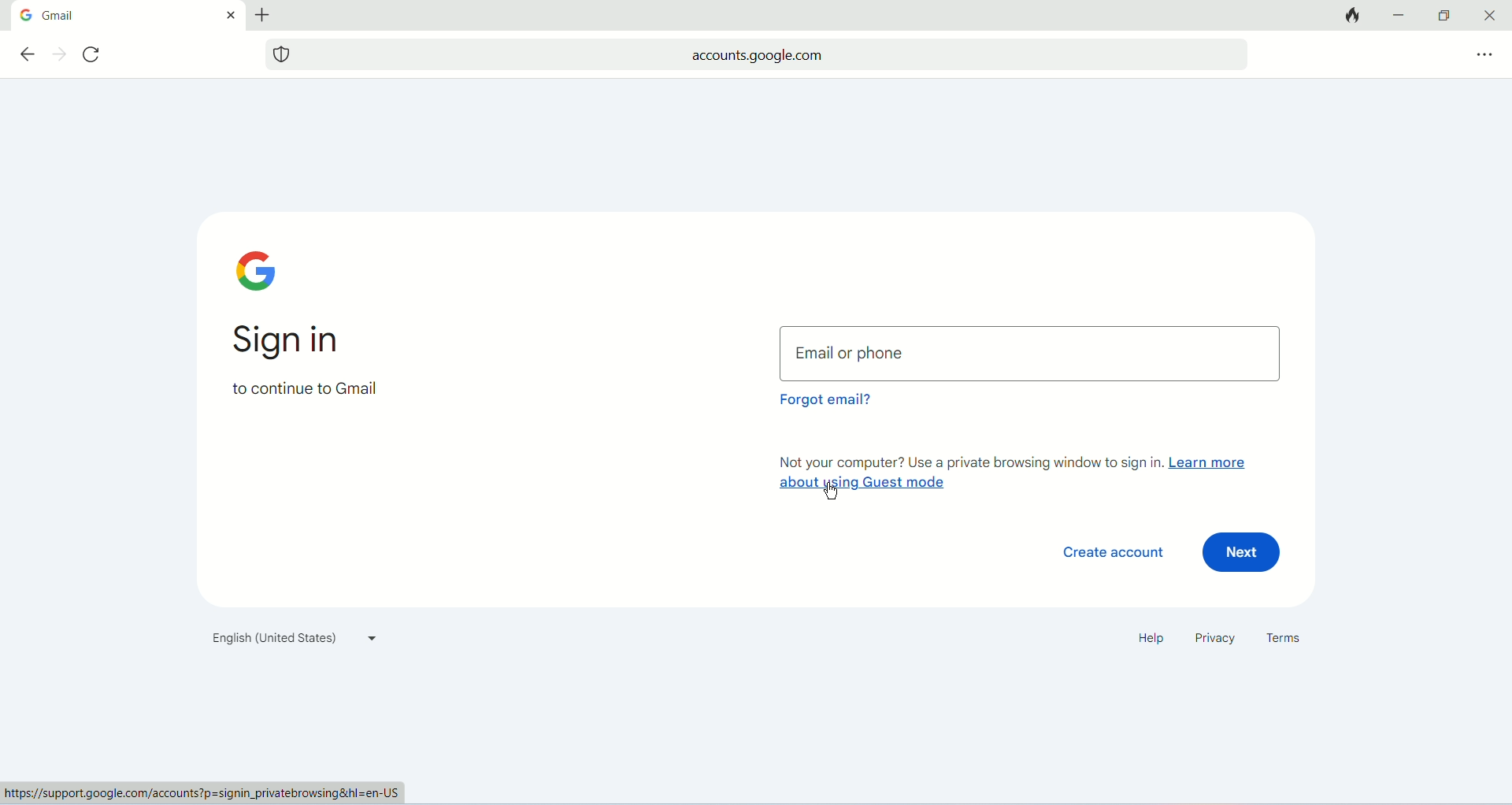 The width and height of the screenshot is (1512, 805). I want to click on sign in, so click(297, 343).